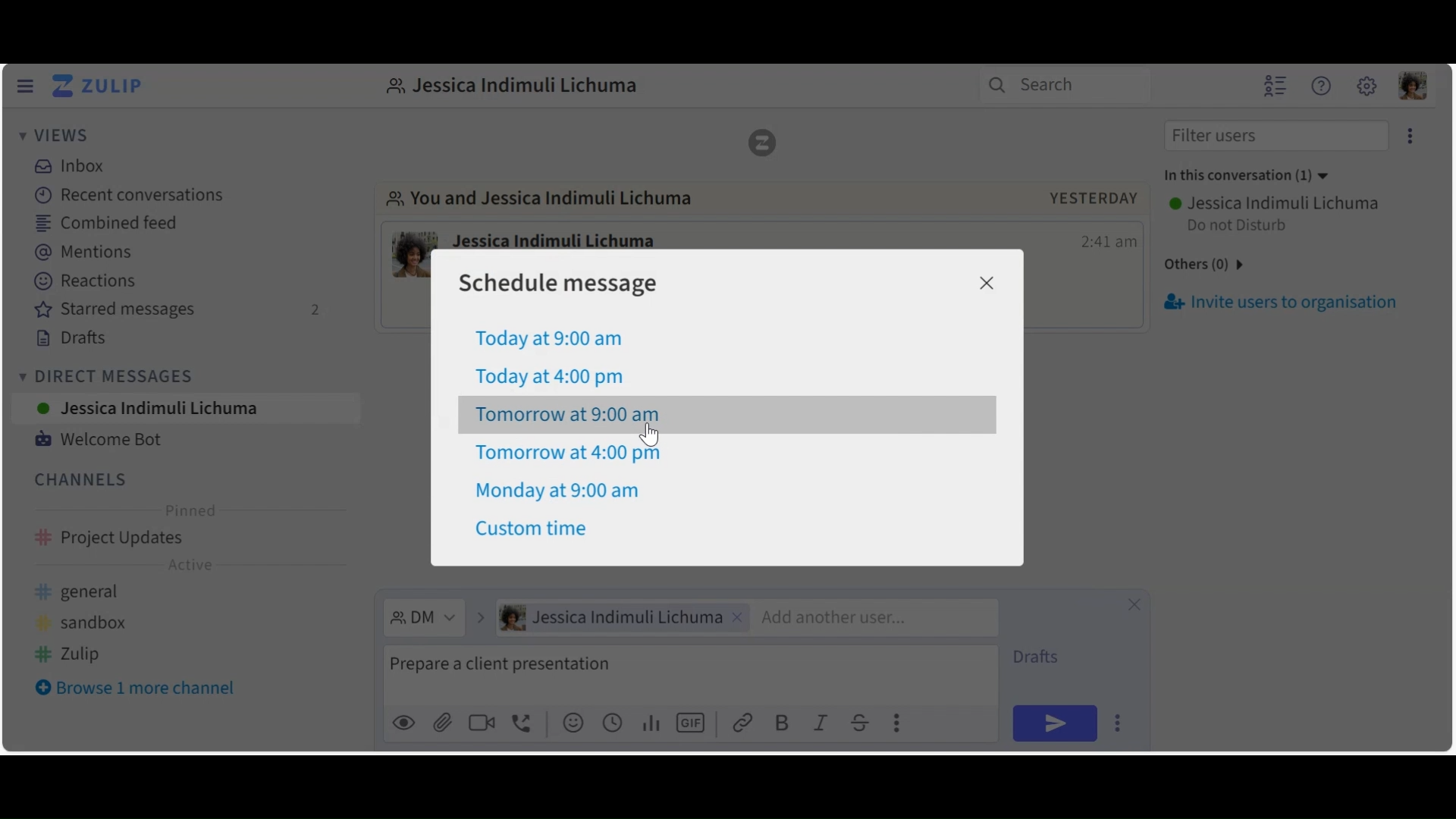  What do you see at coordinates (54, 136) in the screenshot?
I see `Views` at bounding box center [54, 136].